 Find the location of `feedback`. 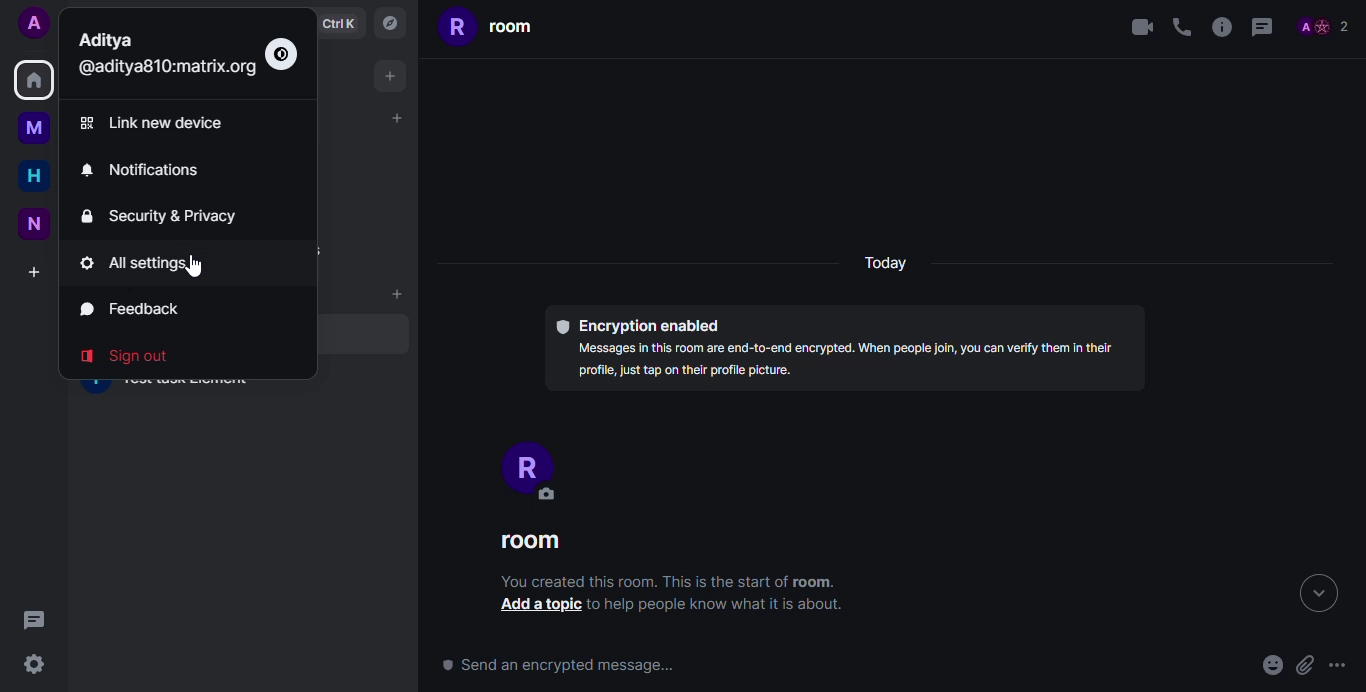

feedback is located at coordinates (134, 308).